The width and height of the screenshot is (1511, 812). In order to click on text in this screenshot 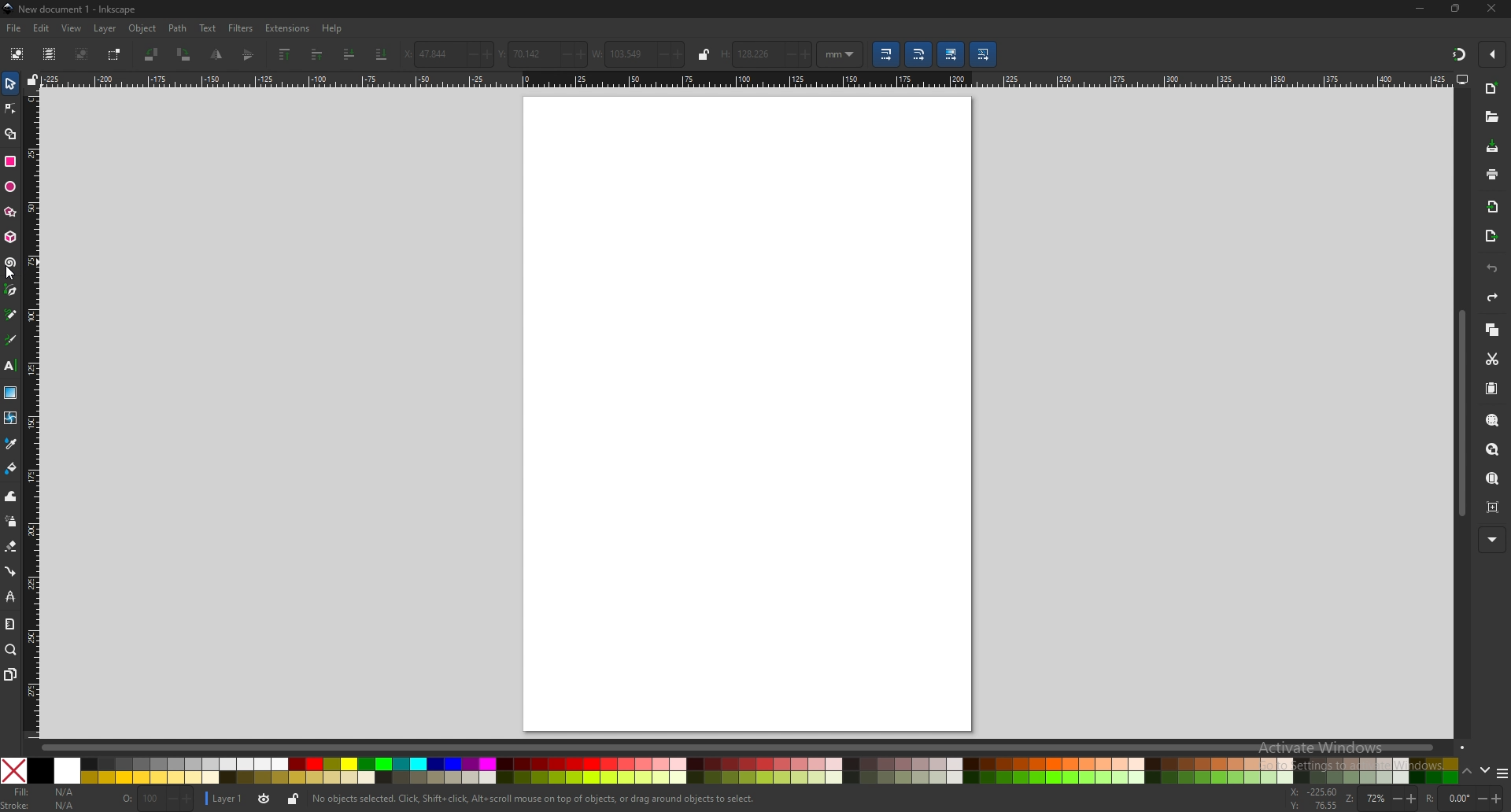, I will do `click(207, 28)`.